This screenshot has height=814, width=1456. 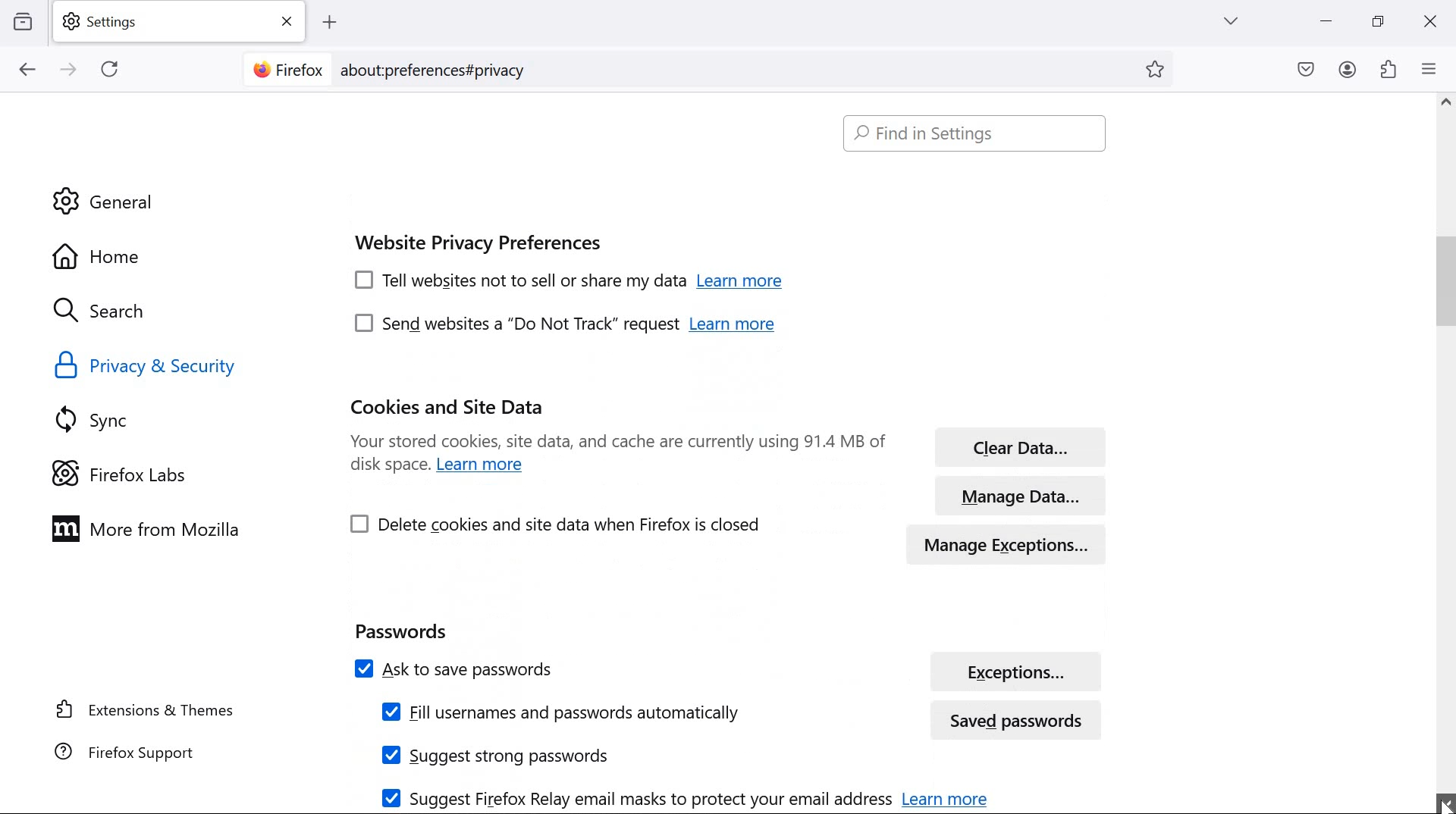 I want to click on settings, so click(x=183, y=22).